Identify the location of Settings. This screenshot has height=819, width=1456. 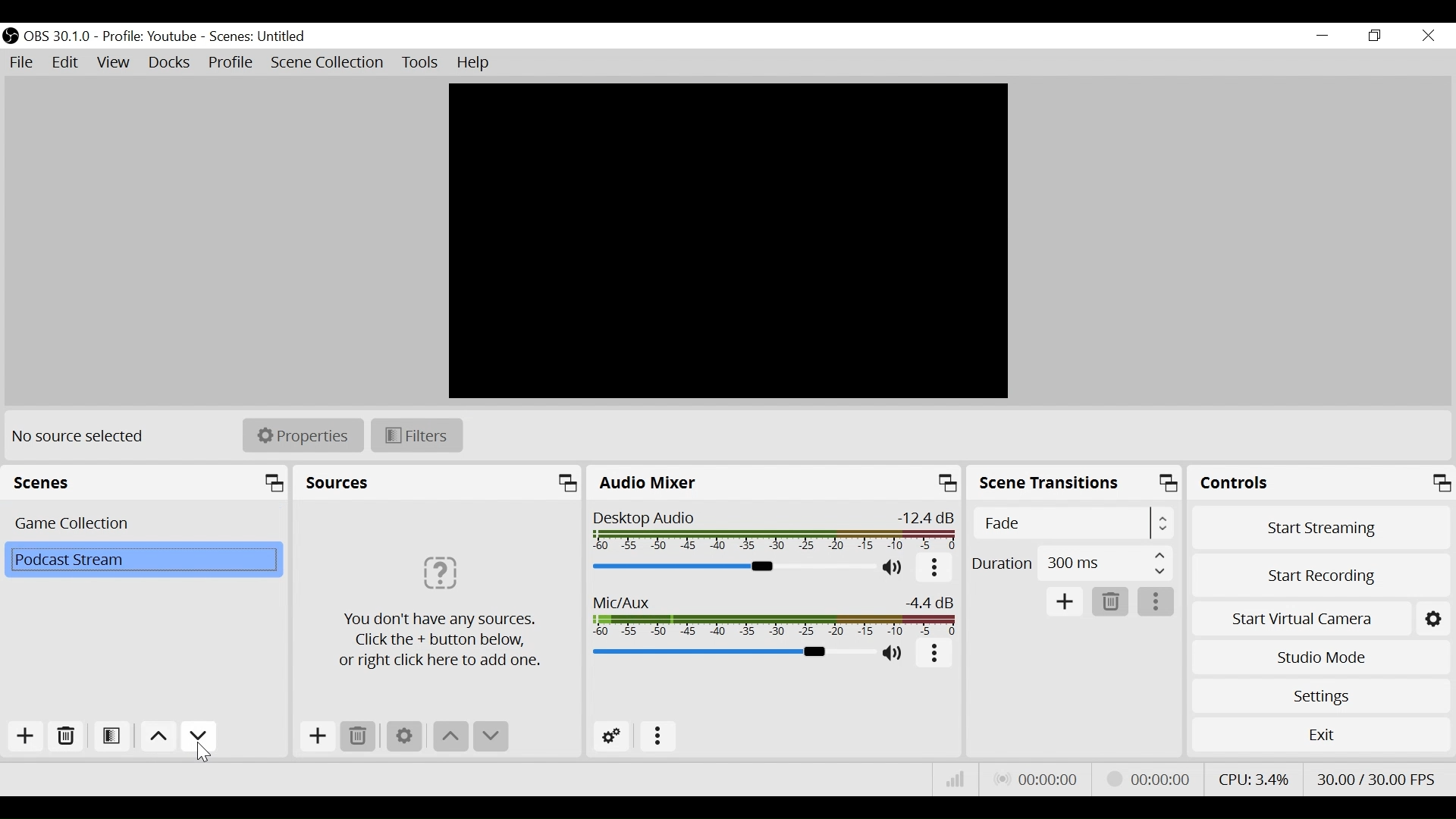
(1320, 695).